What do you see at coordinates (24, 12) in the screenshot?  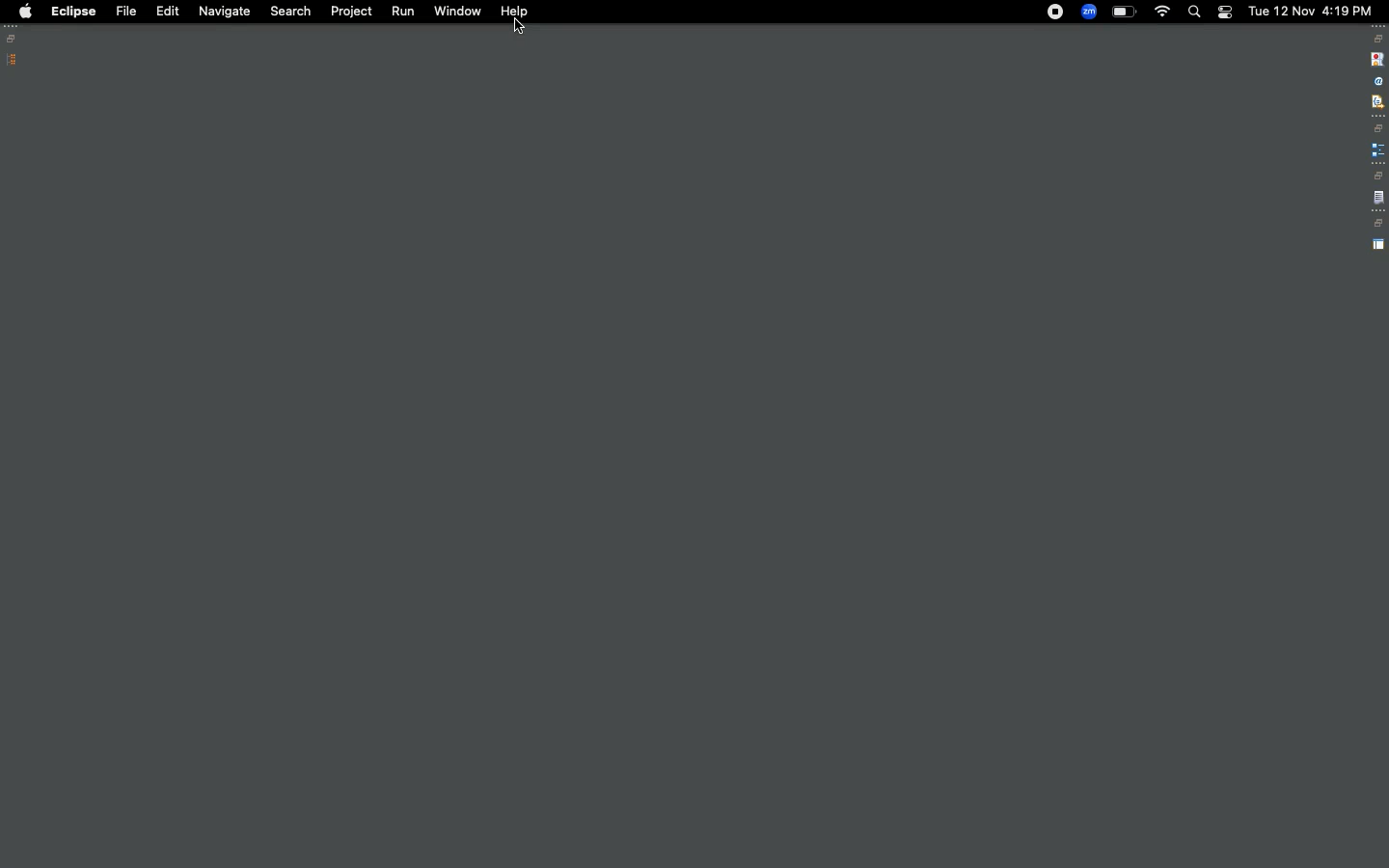 I see `Apple logo` at bounding box center [24, 12].